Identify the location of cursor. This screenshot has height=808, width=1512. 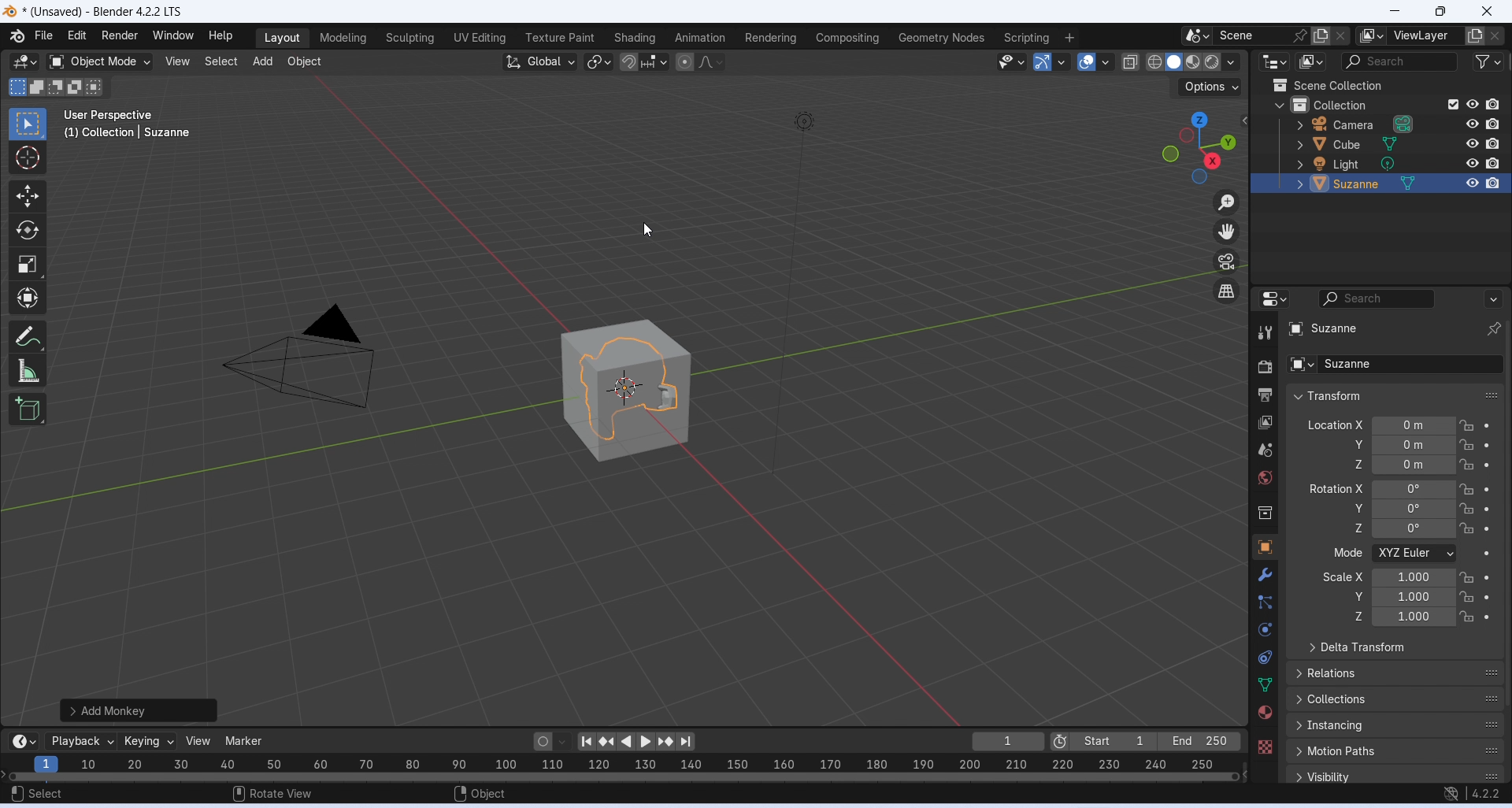
(650, 232).